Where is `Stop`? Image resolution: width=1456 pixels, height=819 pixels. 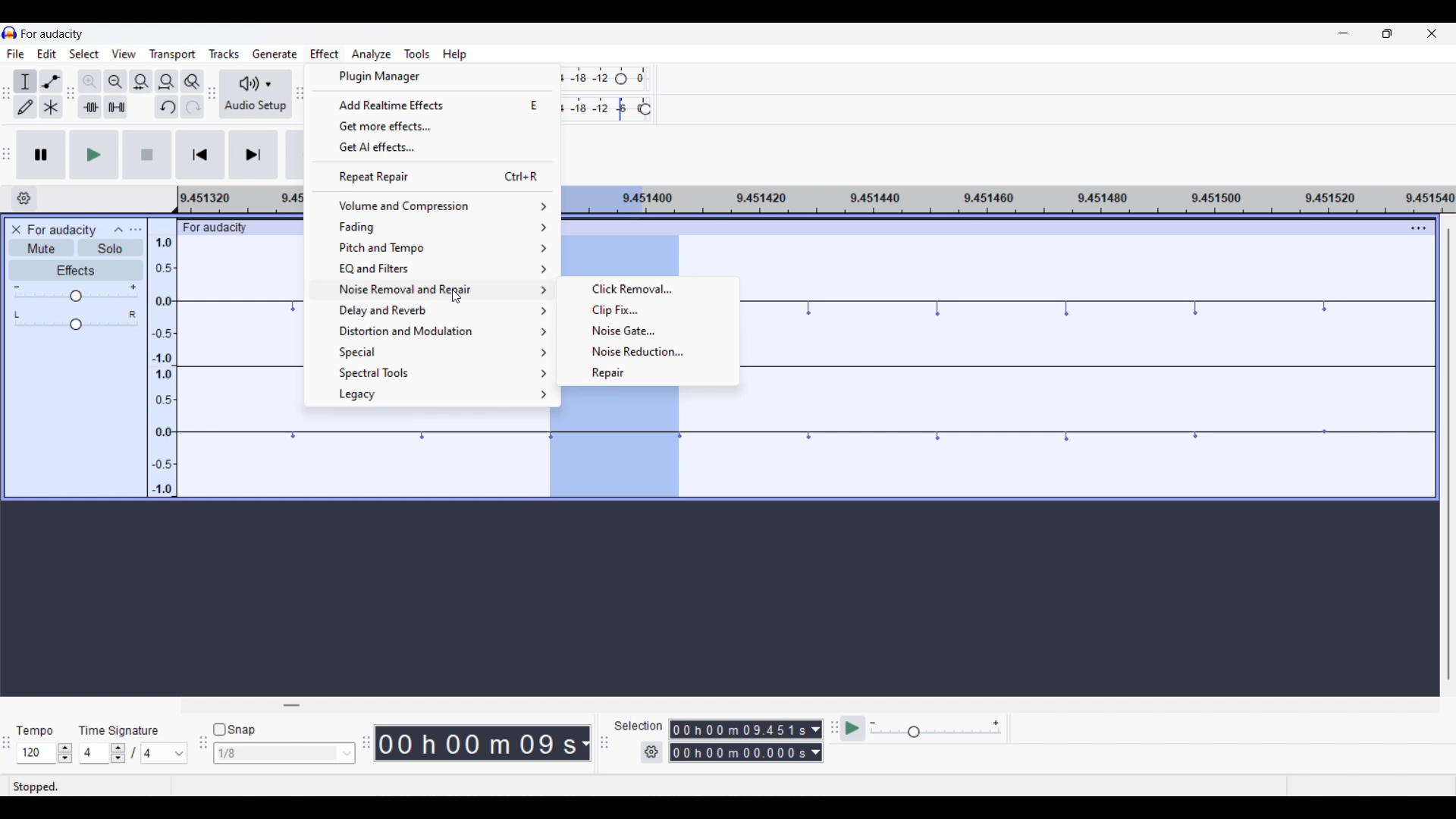 Stop is located at coordinates (148, 155).